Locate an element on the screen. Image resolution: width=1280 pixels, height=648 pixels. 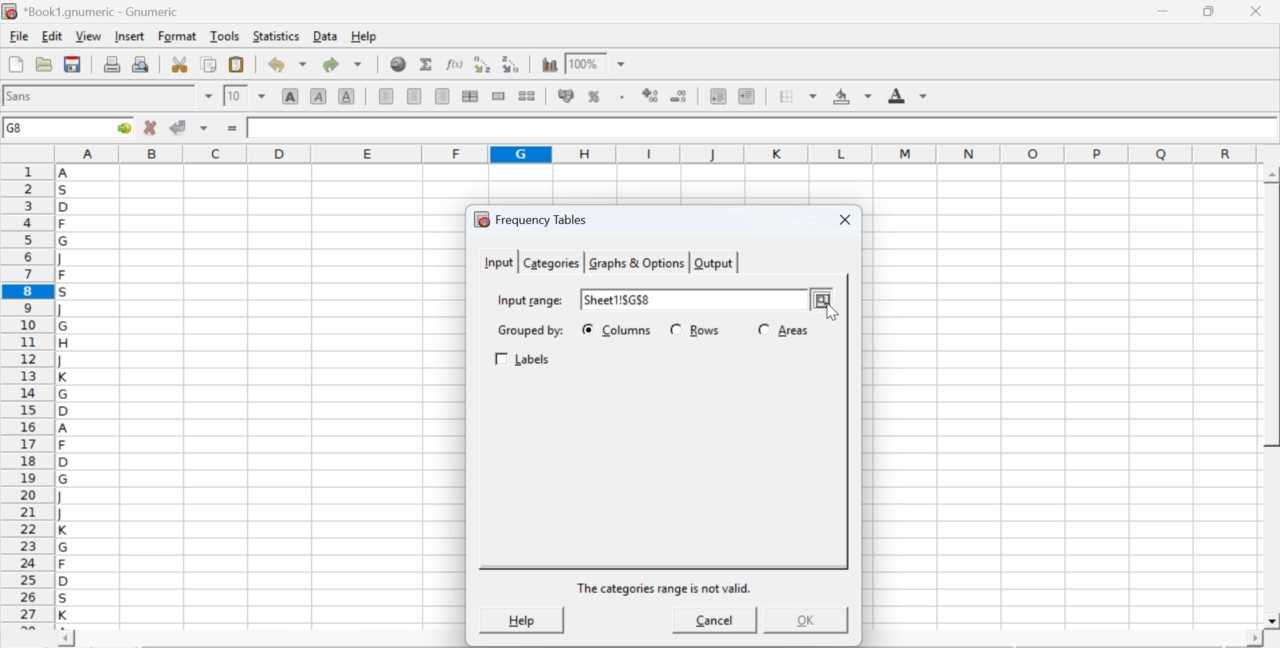
data is located at coordinates (327, 35).